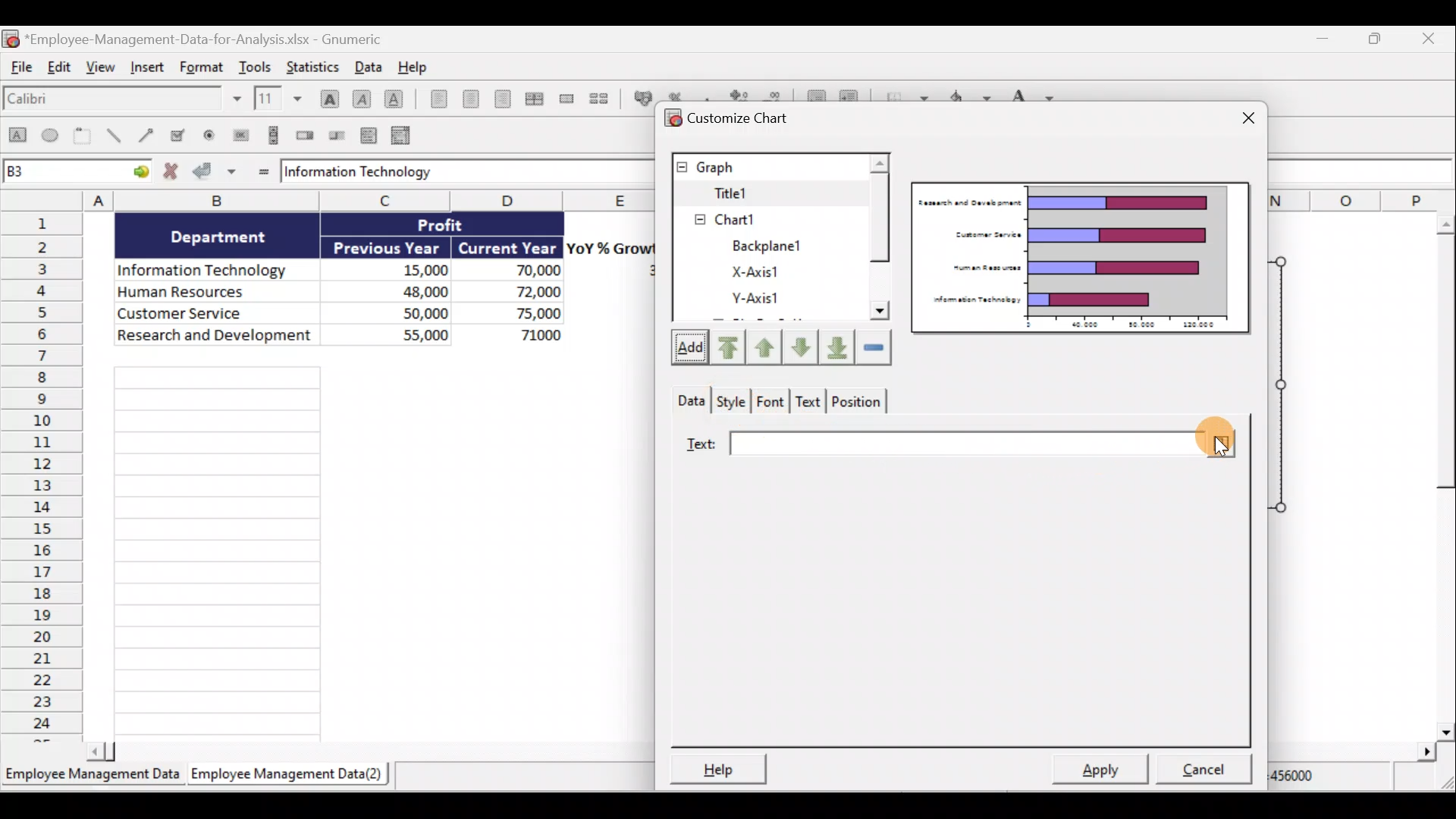 Image resolution: width=1456 pixels, height=819 pixels. Describe the element at coordinates (836, 350) in the screenshot. I see `Move downward` at that location.